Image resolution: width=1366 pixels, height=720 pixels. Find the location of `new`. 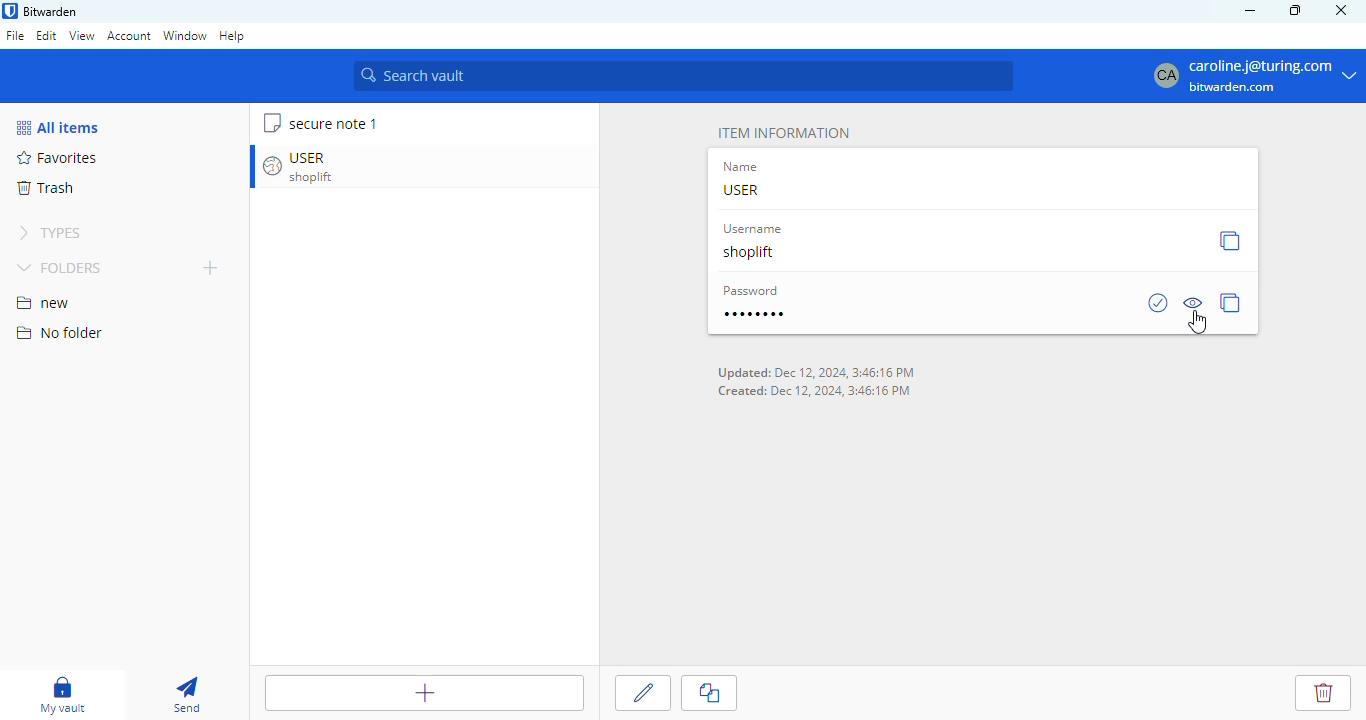

new is located at coordinates (44, 303).